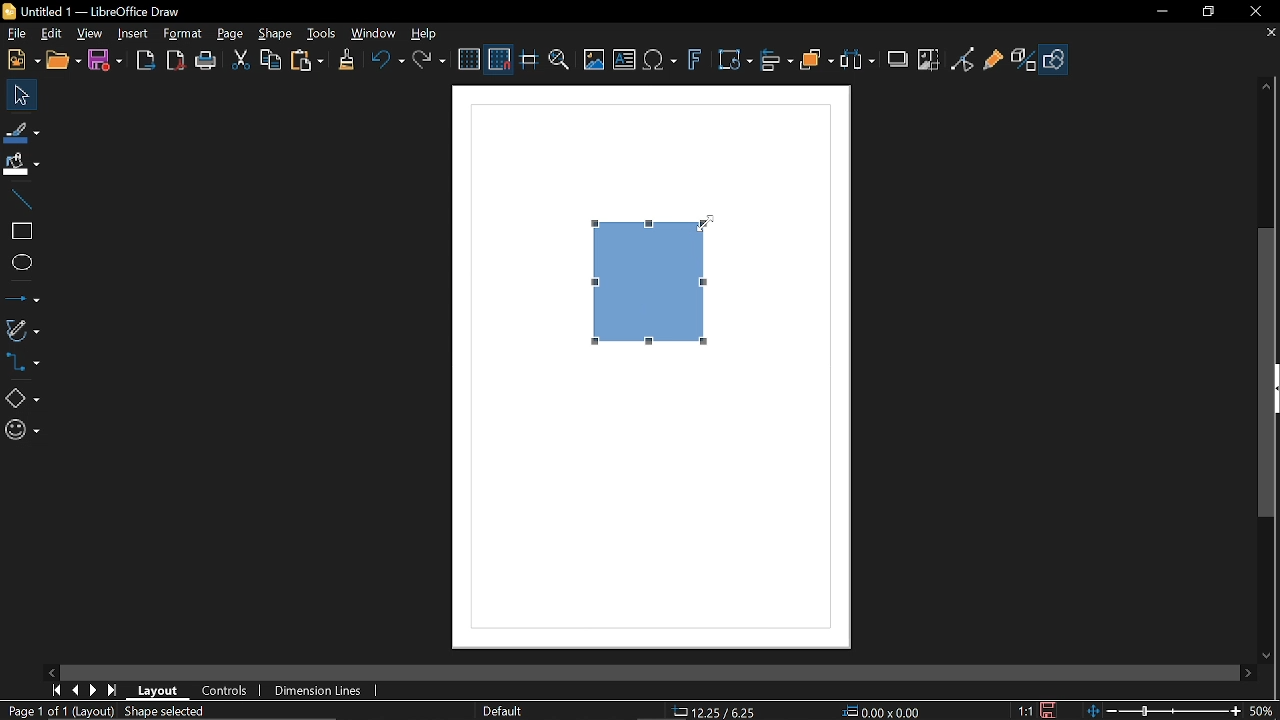 The height and width of the screenshot is (720, 1280). Describe the element at coordinates (20, 432) in the screenshot. I see `Symbol shapes` at that location.